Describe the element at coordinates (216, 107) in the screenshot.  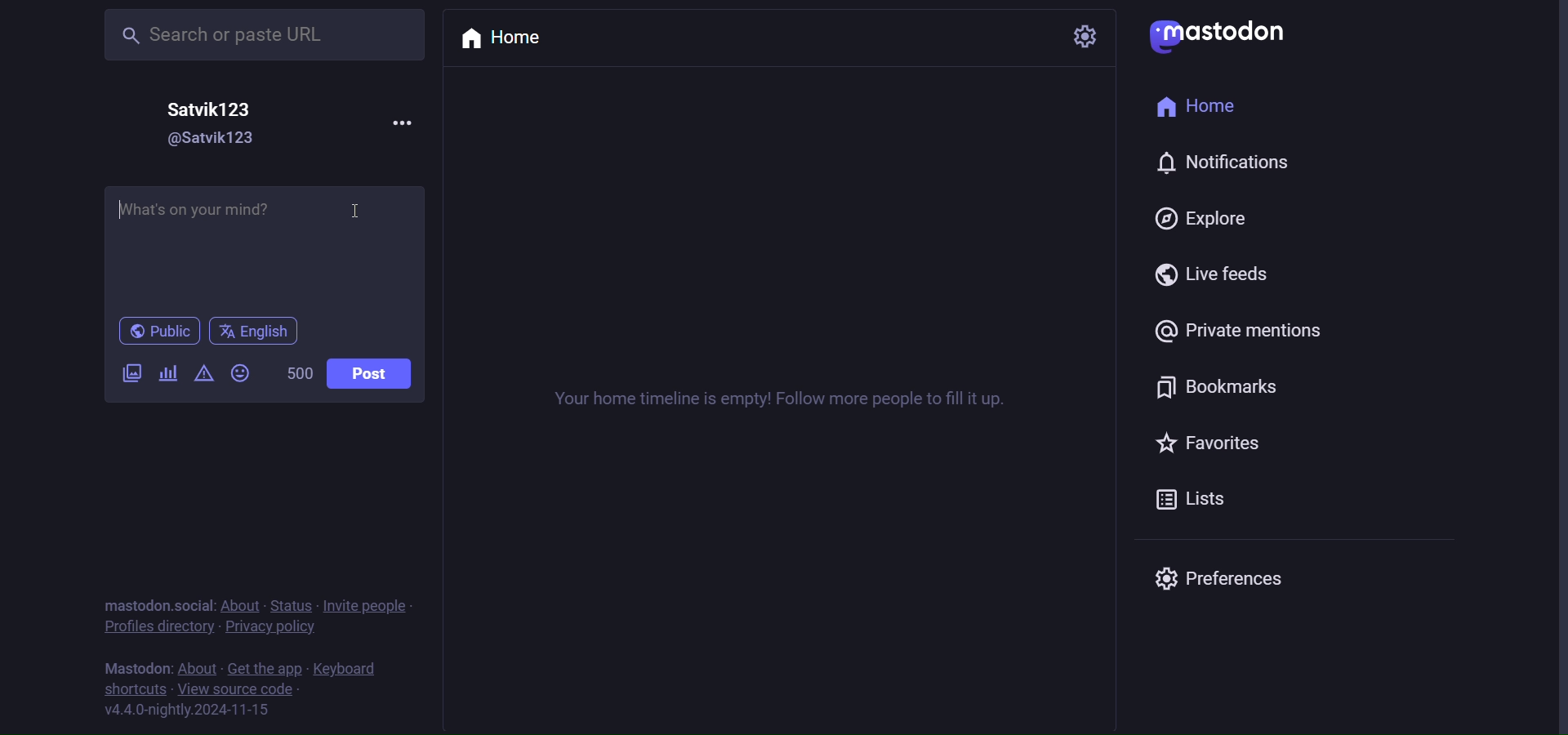
I see `Satvik123` at that location.